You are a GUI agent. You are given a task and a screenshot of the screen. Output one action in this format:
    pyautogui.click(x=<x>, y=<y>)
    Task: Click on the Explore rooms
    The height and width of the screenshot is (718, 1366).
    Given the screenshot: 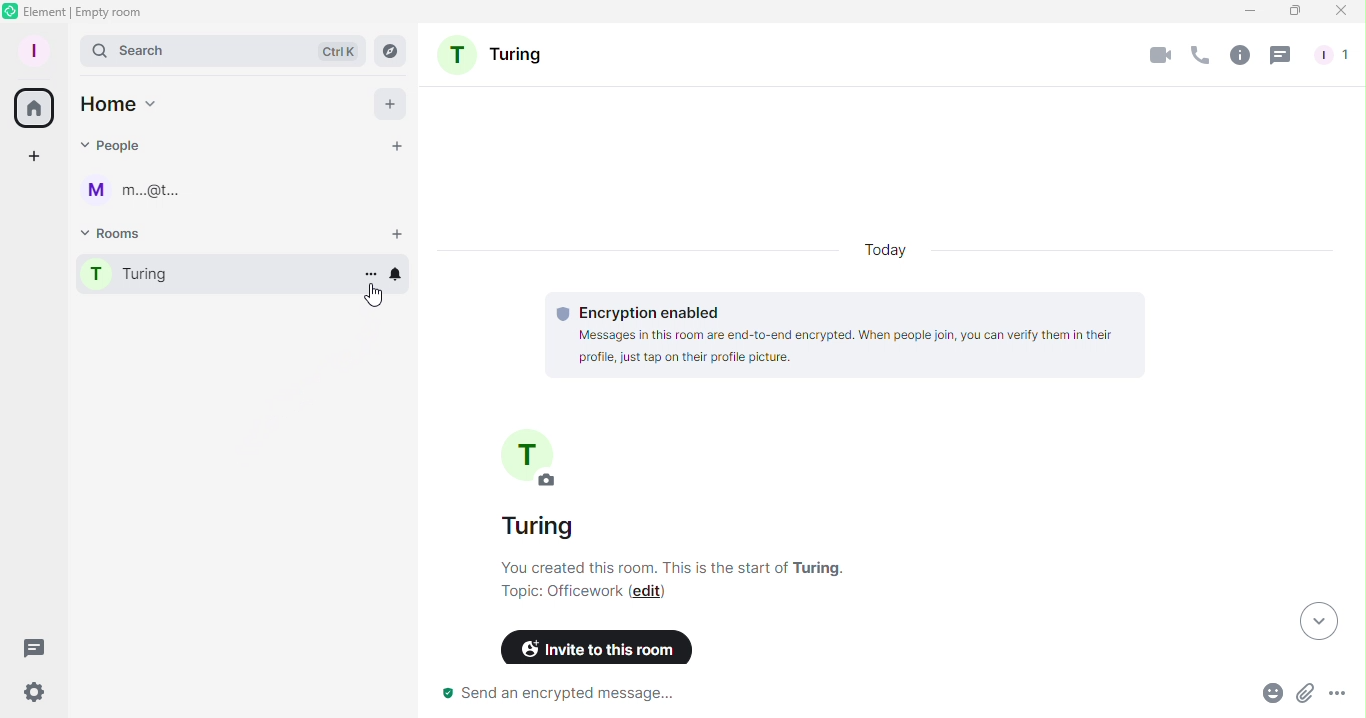 What is the action you would take?
    pyautogui.click(x=399, y=48)
    